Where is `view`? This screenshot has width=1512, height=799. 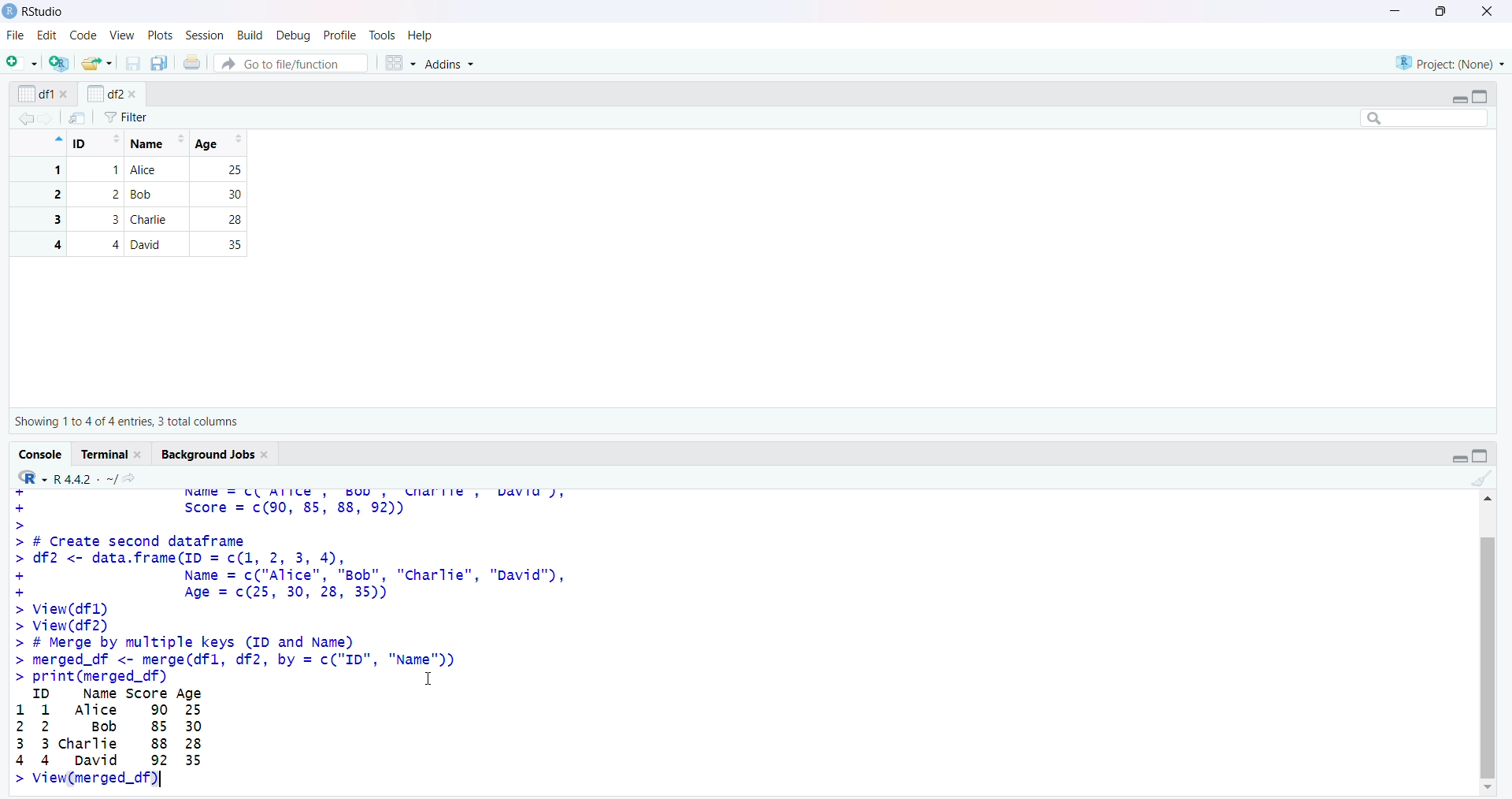
view is located at coordinates (123, 36).